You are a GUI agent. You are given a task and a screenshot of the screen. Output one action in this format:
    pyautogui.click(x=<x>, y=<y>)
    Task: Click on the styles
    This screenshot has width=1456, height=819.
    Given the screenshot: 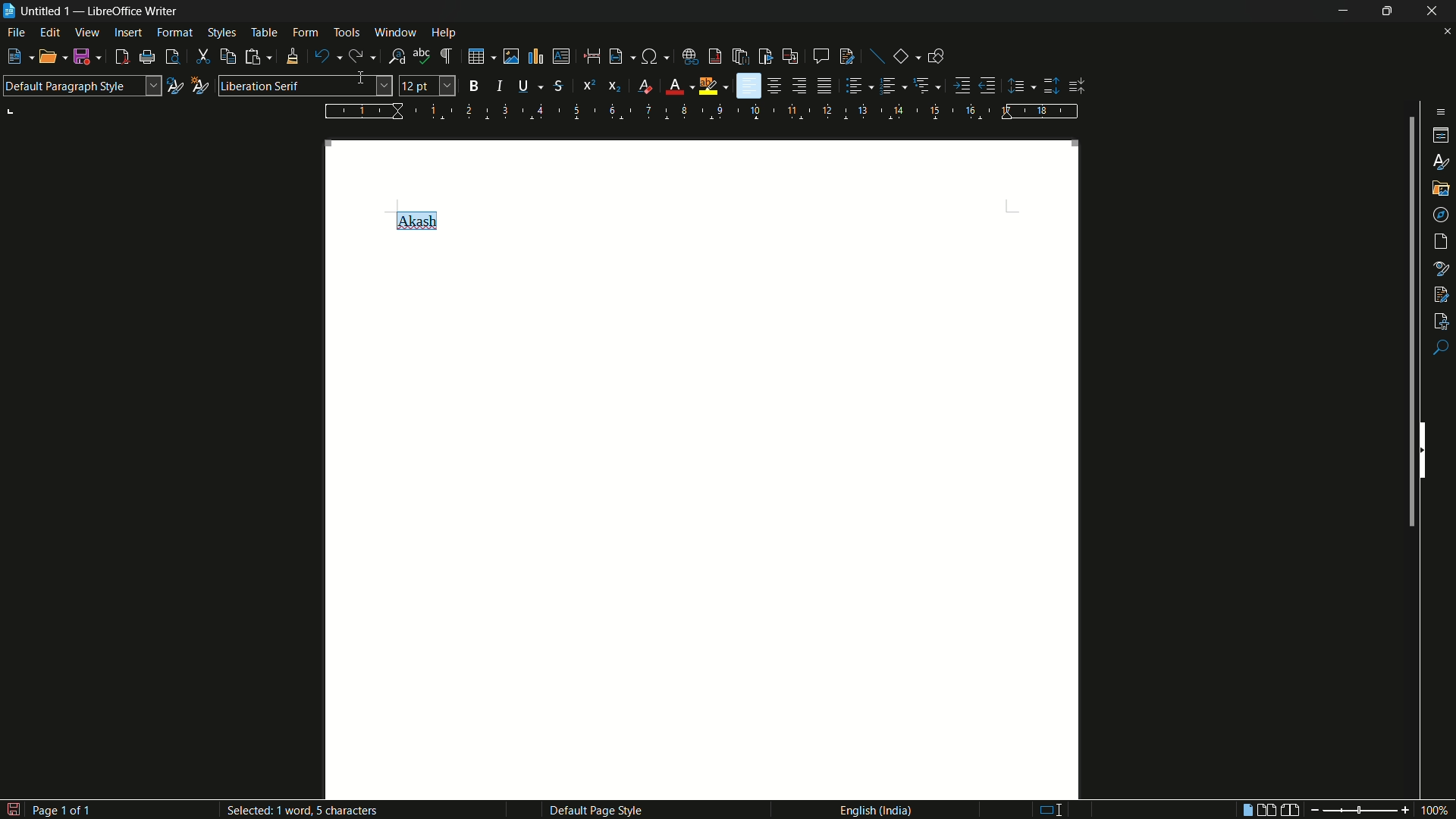 What is the action you would take?
    pyautogui.click(x=1442, y=161)
    